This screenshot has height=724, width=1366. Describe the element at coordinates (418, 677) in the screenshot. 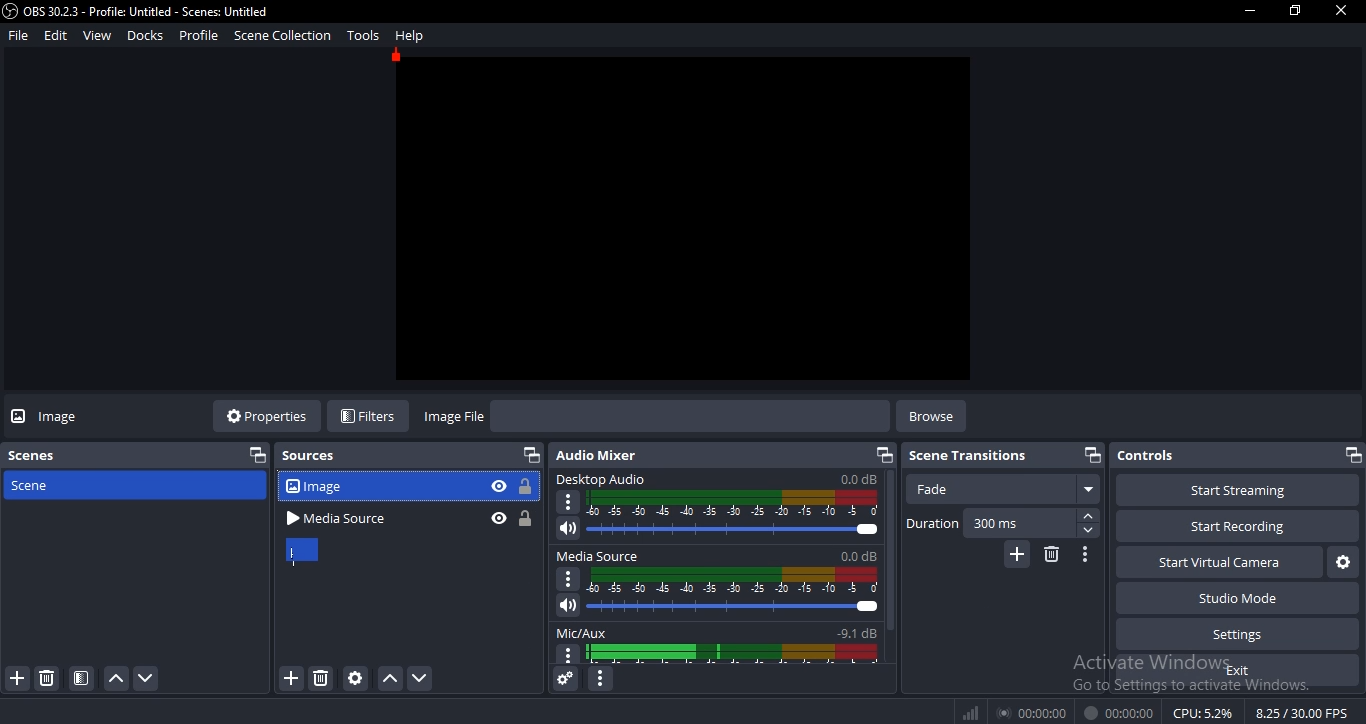

I see `move down` at that location.